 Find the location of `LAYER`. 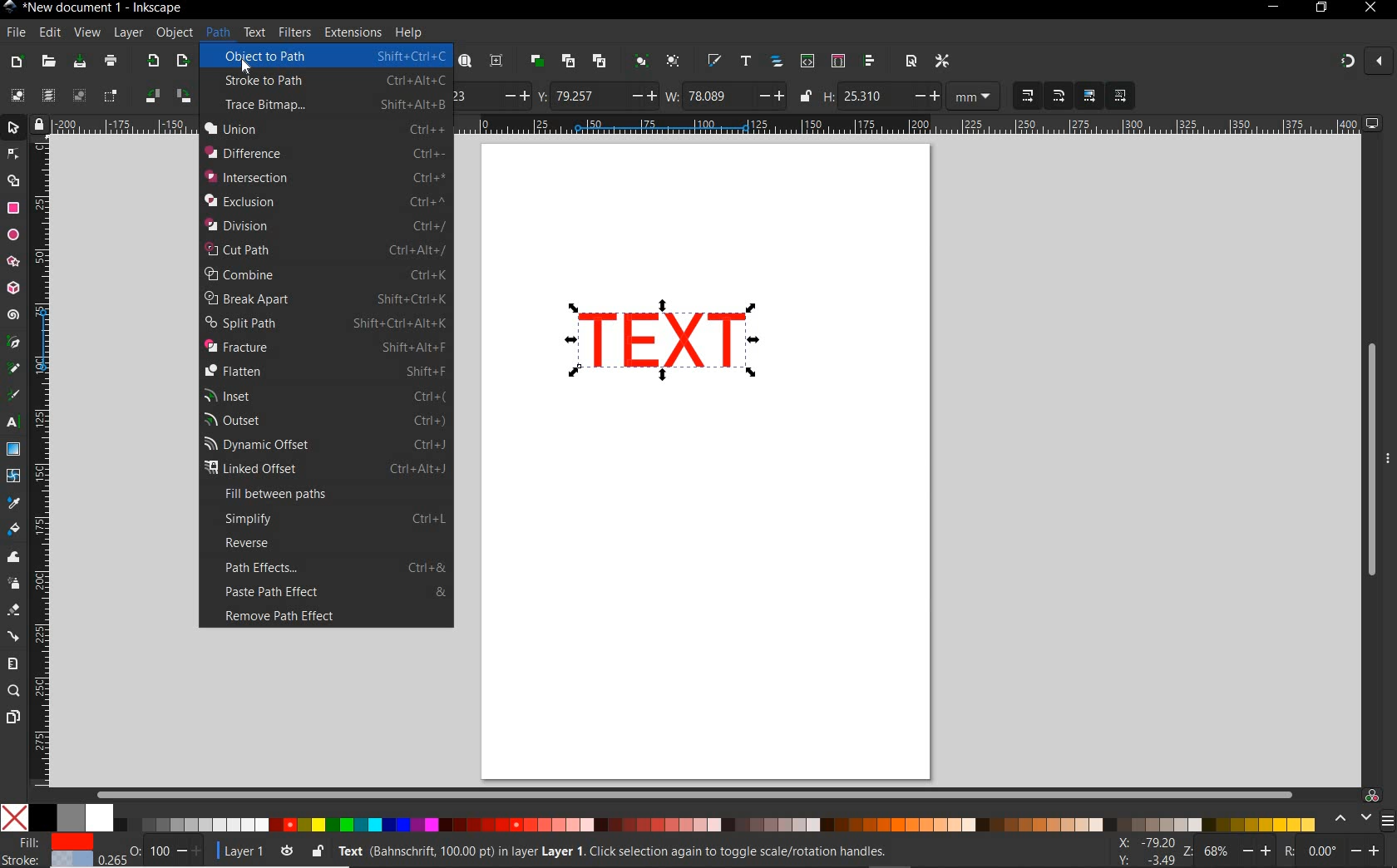

LAYER is located at coordinates (129, 32).